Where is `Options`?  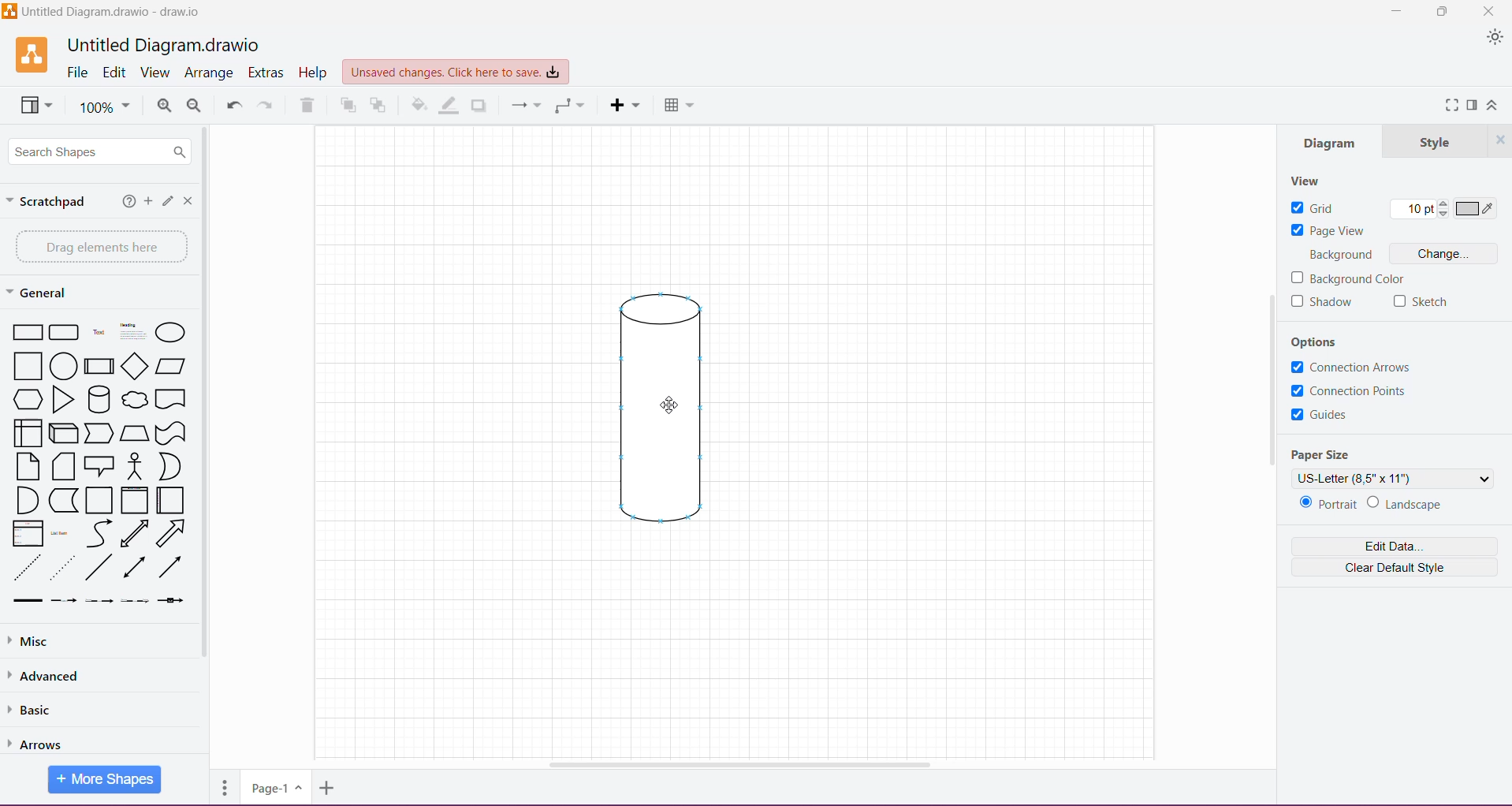 Options is located at coordinates (1326, 340).